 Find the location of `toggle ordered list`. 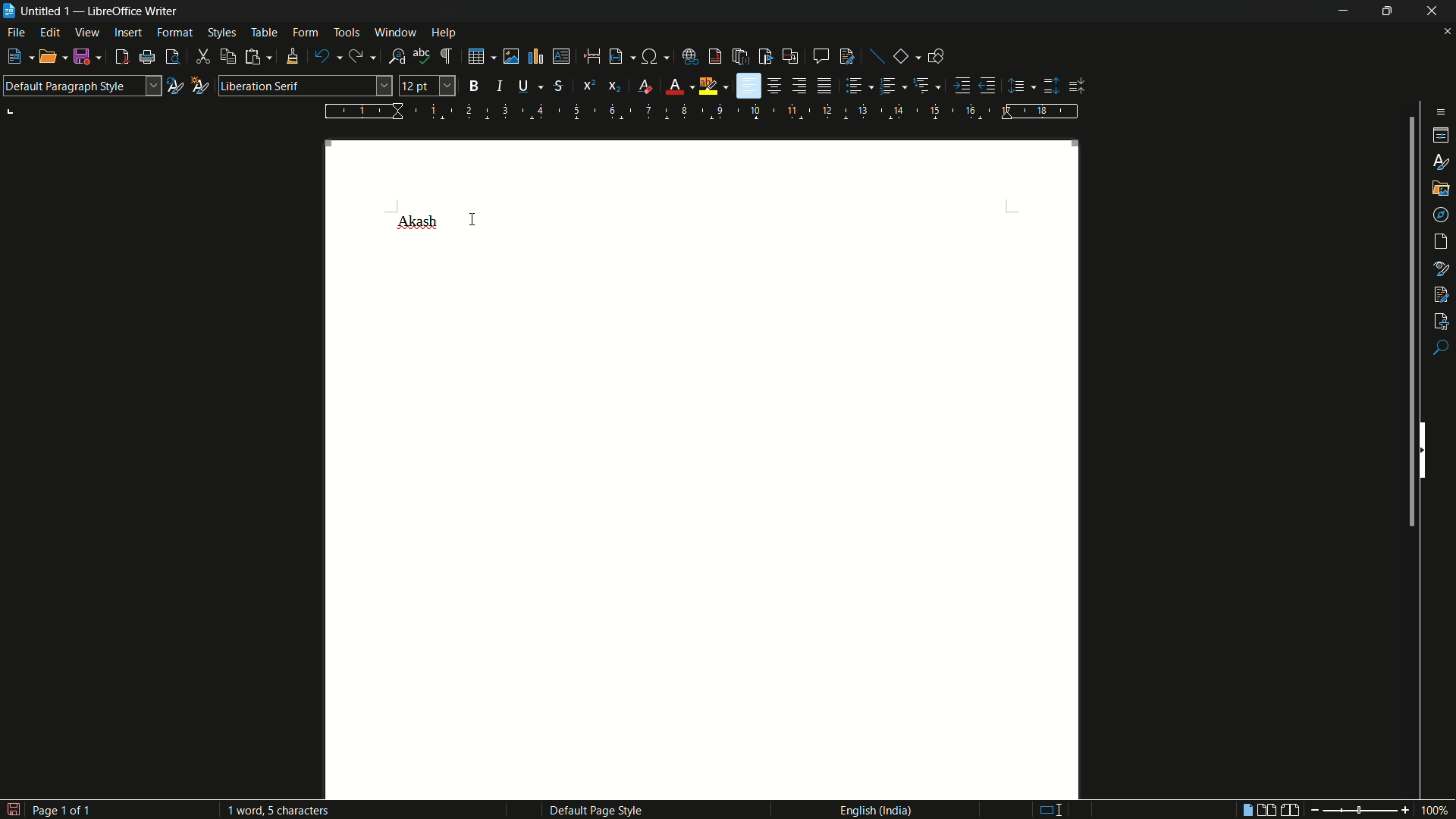

toggle ordered list is located at coordinates (890, 85).